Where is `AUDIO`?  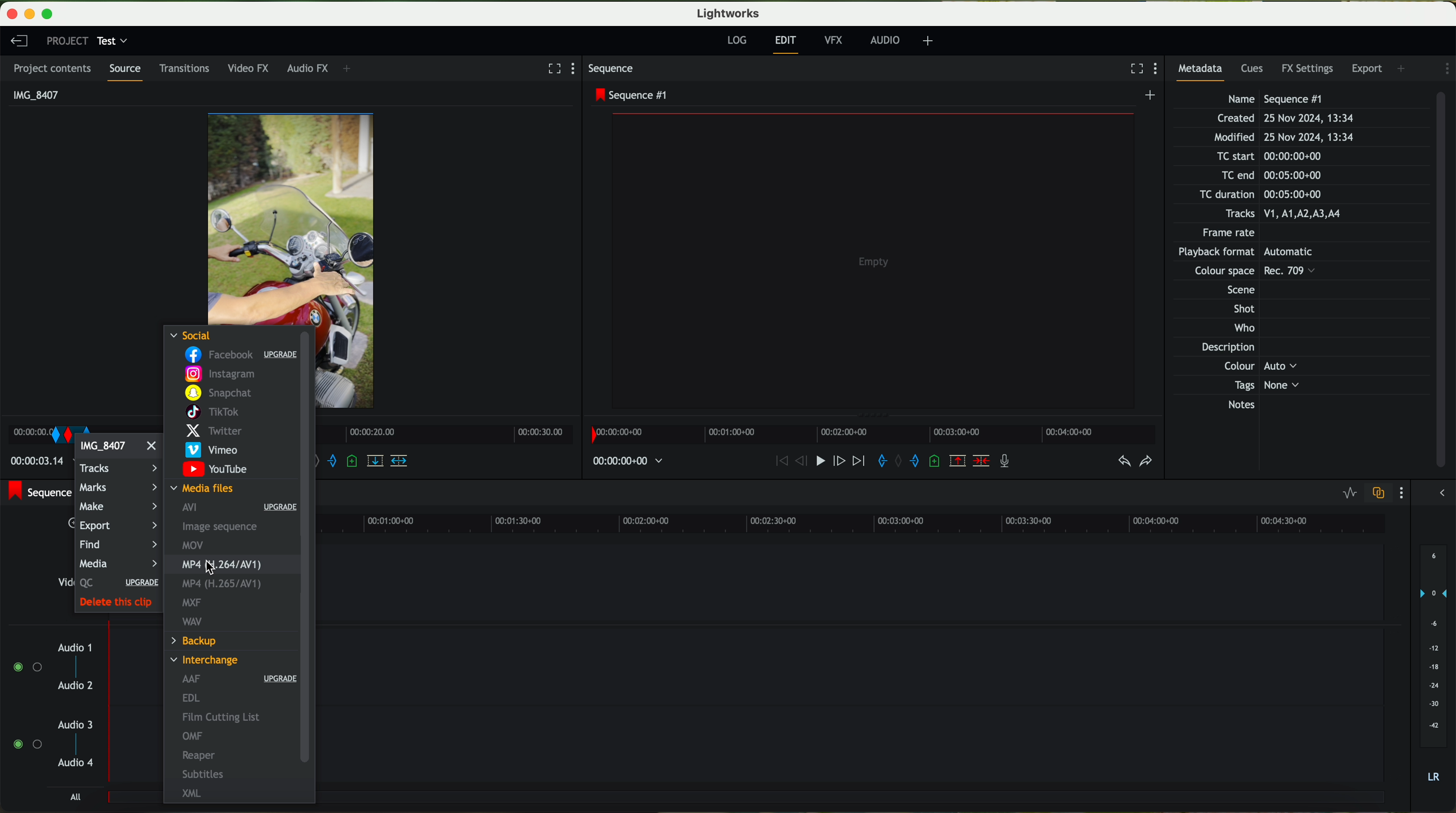
AUDIO is located at coordinates (883, 40).